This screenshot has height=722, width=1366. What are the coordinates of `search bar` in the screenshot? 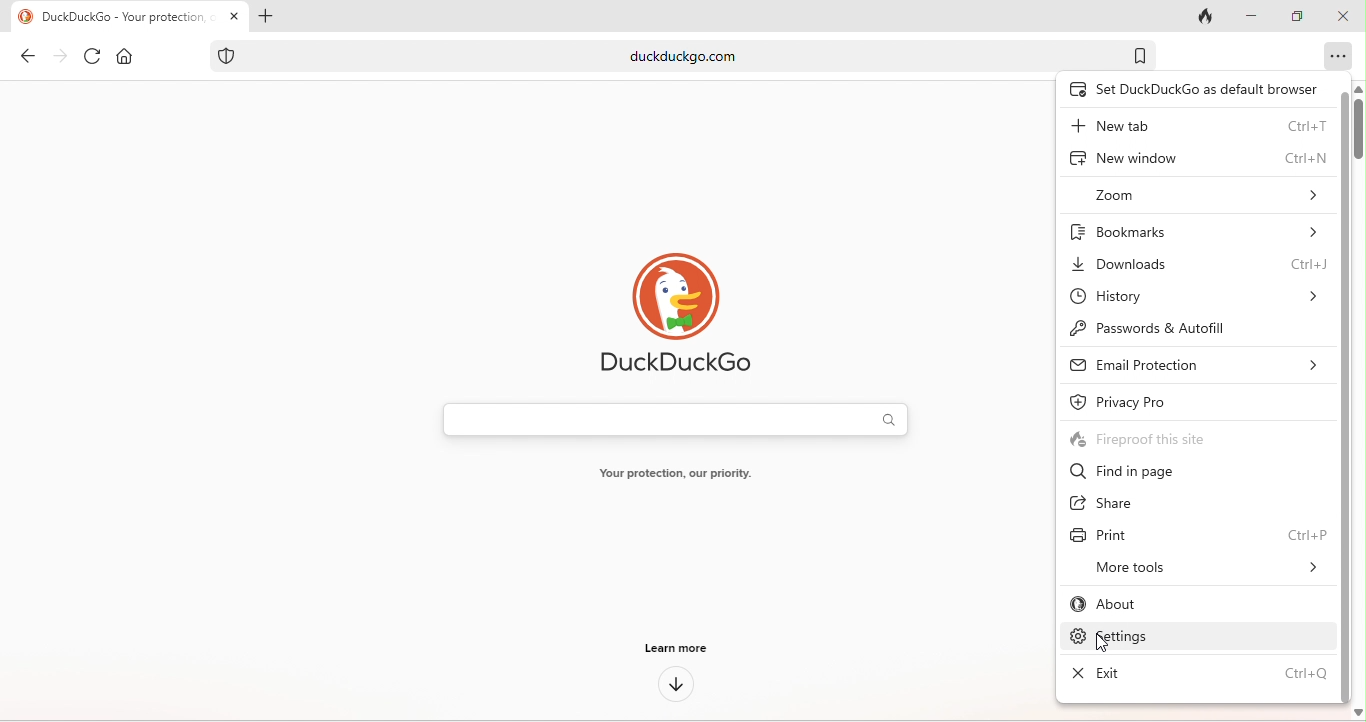 It's located at (679, 418).